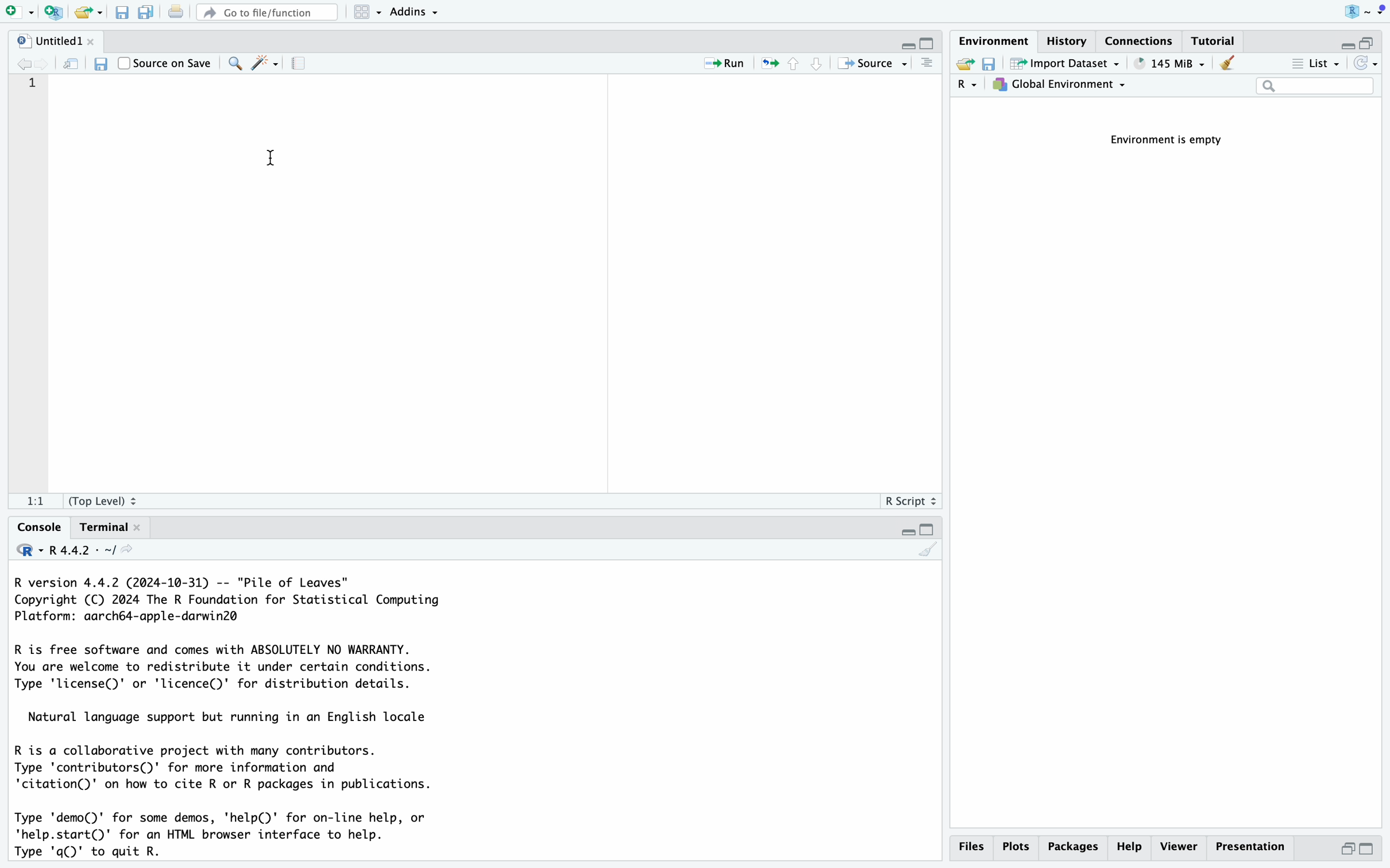 The width and height of the screenshot is (1390, 868). Describe the element at coordinates (222, 598) in the screenshot. I see `description of version of R ` at that location.